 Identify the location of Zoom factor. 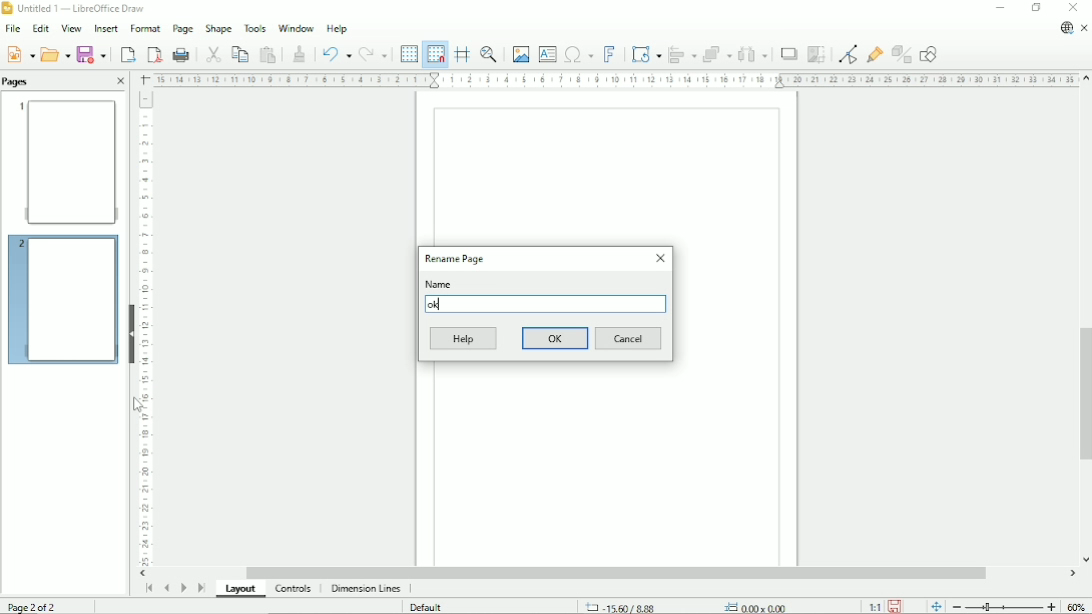
(1077, 606).